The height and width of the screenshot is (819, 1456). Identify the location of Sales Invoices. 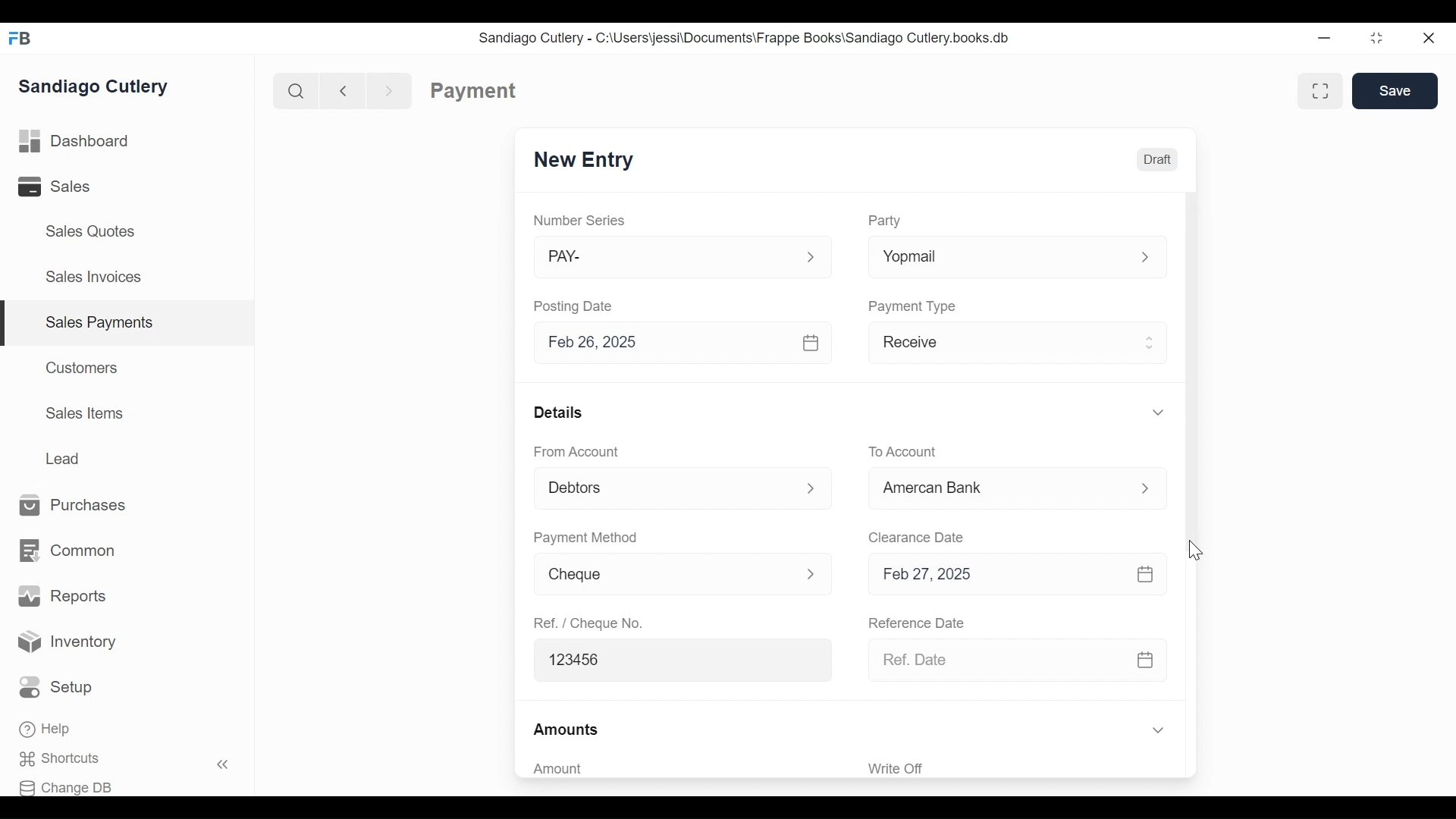
(93, 278).